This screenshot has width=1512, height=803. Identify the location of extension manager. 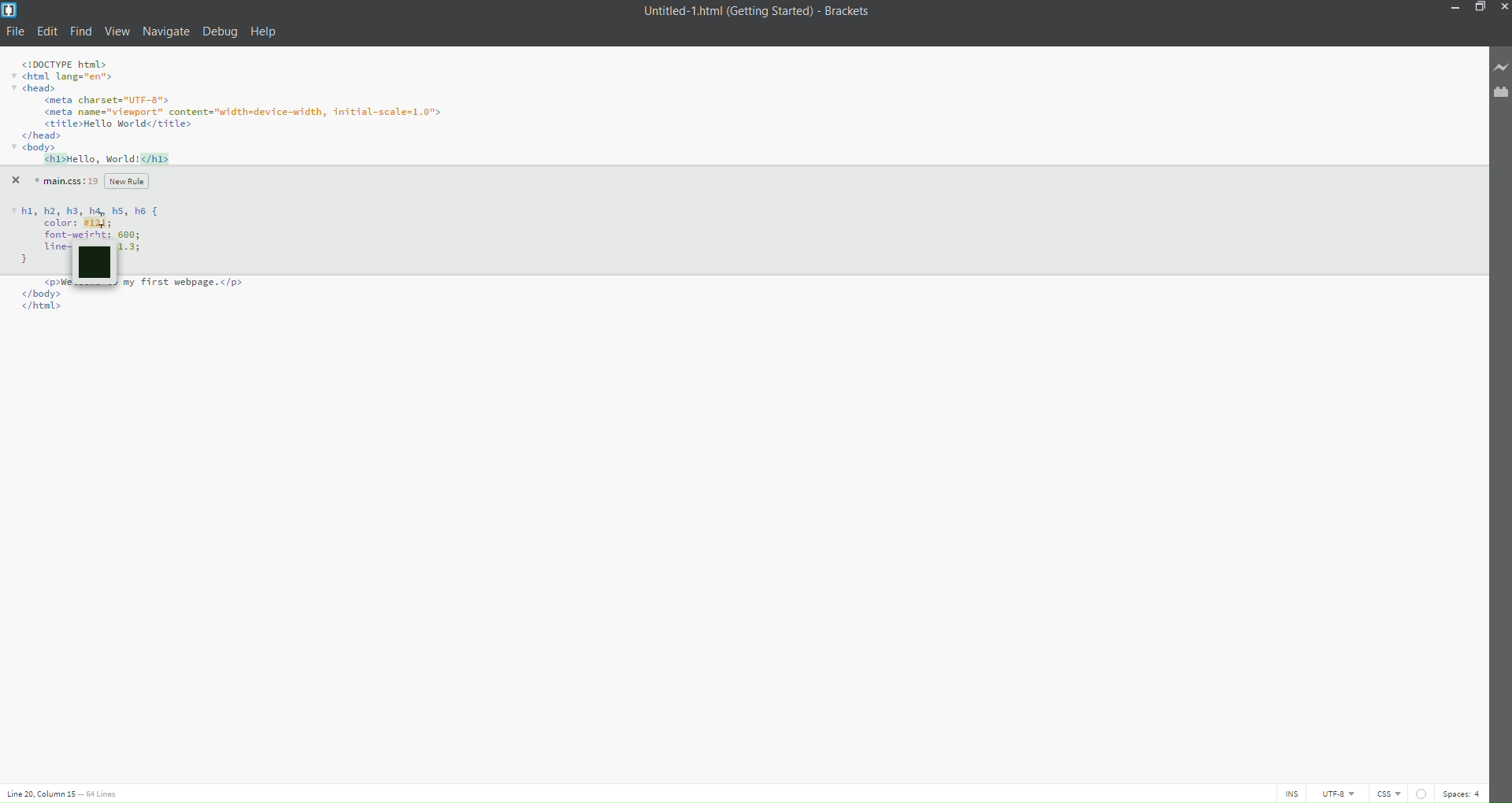
(1497, 92).